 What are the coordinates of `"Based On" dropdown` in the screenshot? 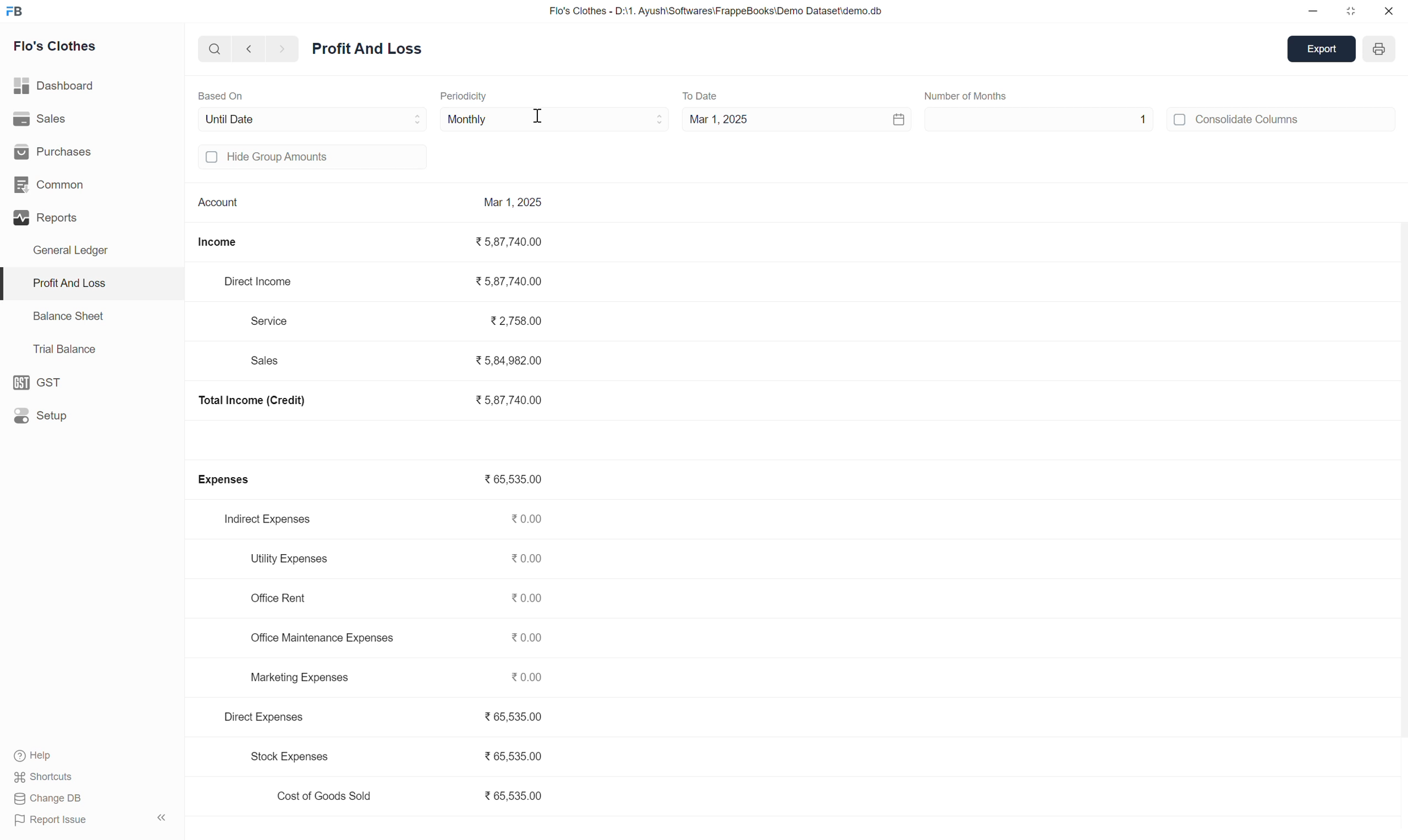 It's located at (410, 118).